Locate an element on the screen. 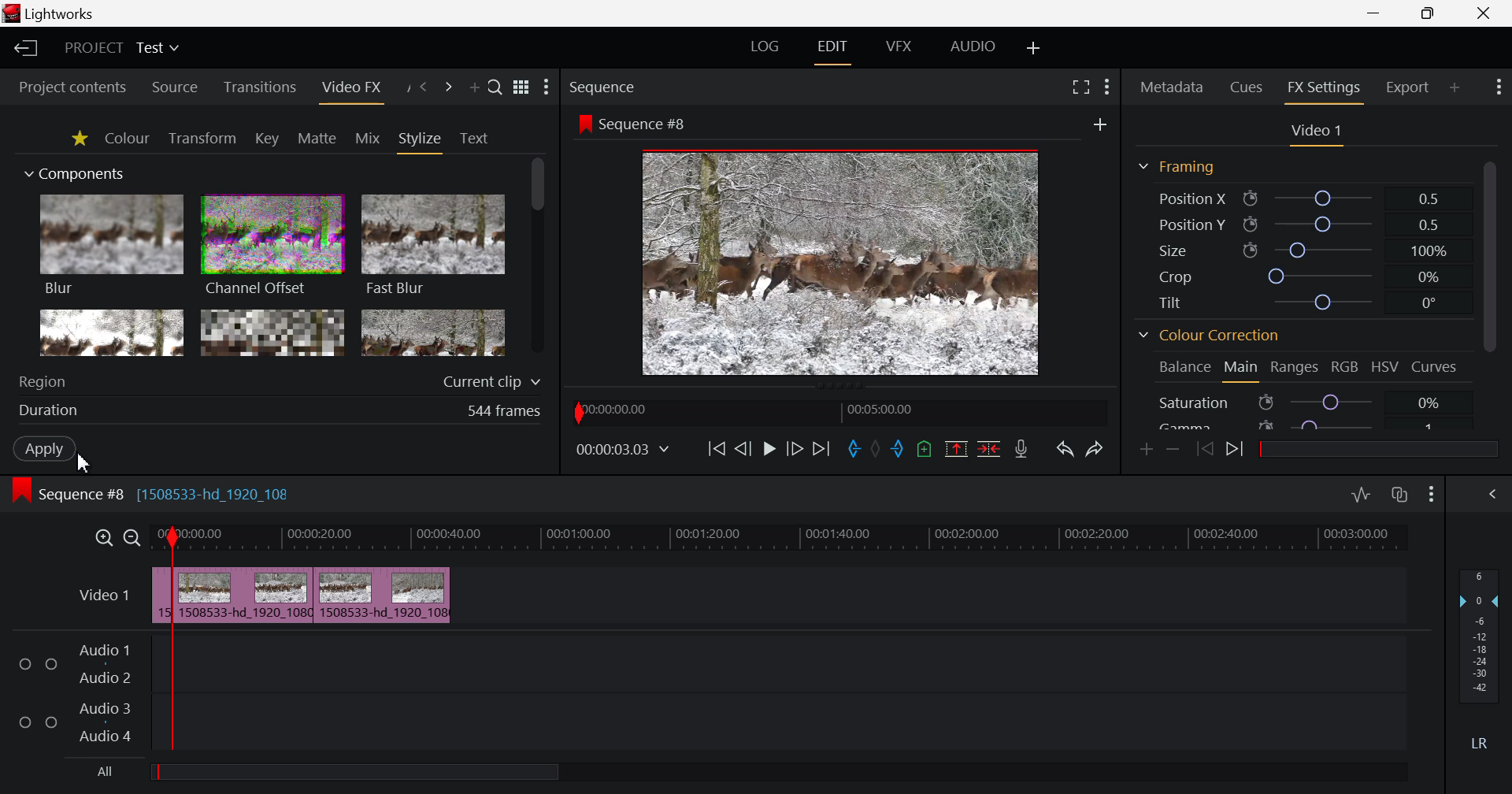 The height and width of the screenshot is (794, 1512). Previous keyframe is located at coordinates (1203, 450).